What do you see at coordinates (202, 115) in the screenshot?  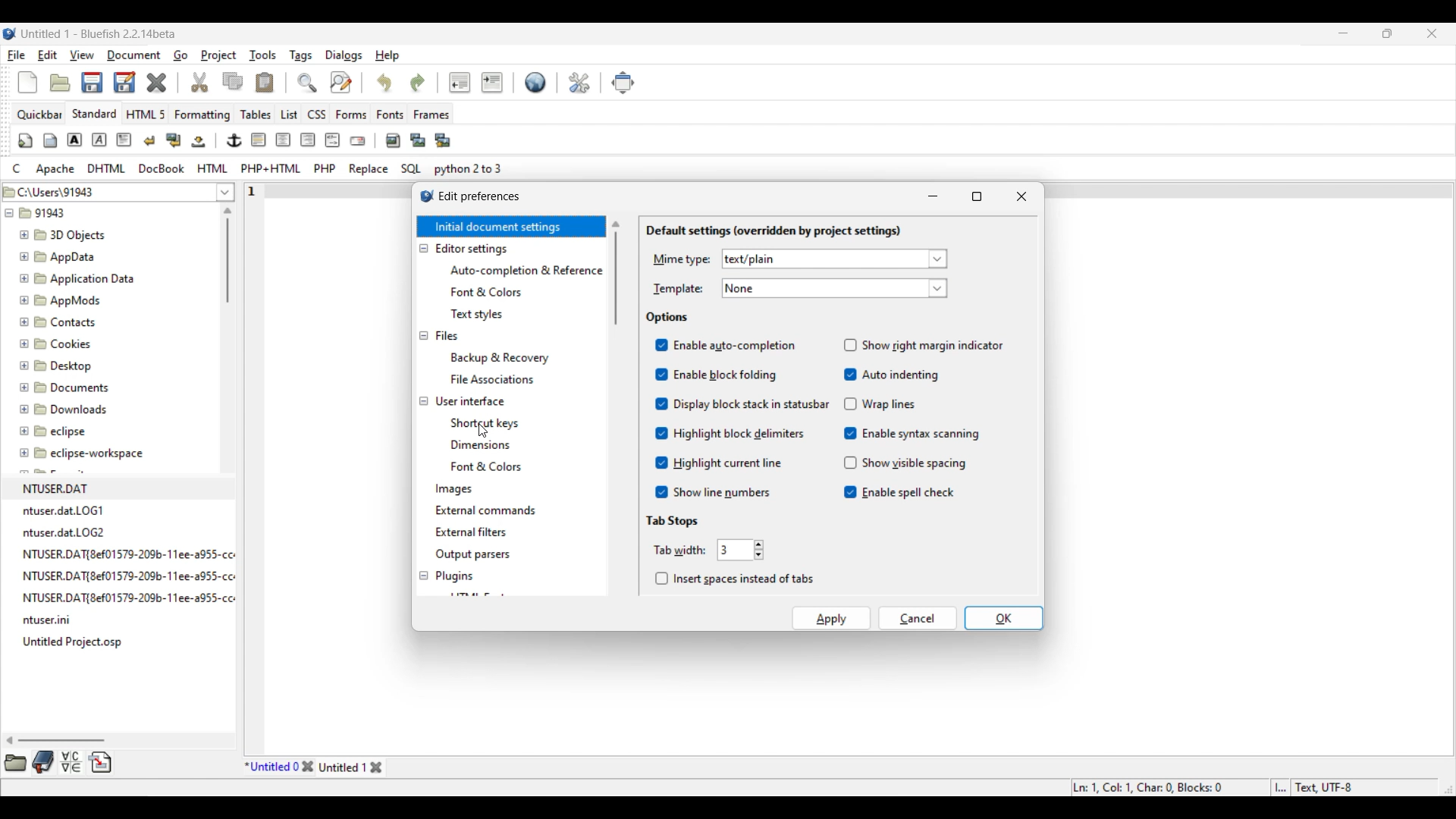 I see `Formatting` at bounding box center [202, 115].